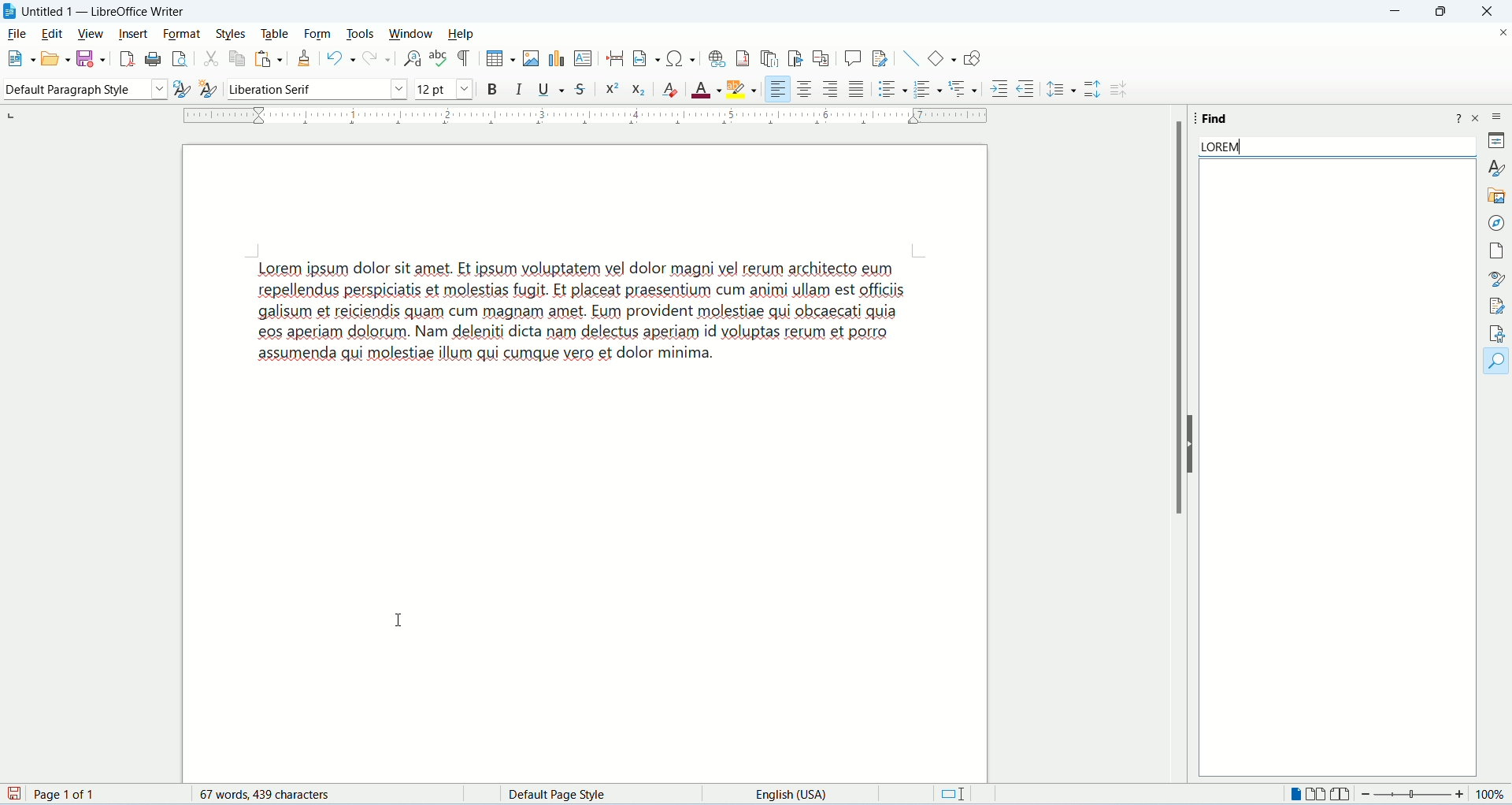 This screenshot has height=805, width=1512. What do you see at coordinates (584, 58) in the screenshot?
I see `insert text box` at bounding box center [584, 58].